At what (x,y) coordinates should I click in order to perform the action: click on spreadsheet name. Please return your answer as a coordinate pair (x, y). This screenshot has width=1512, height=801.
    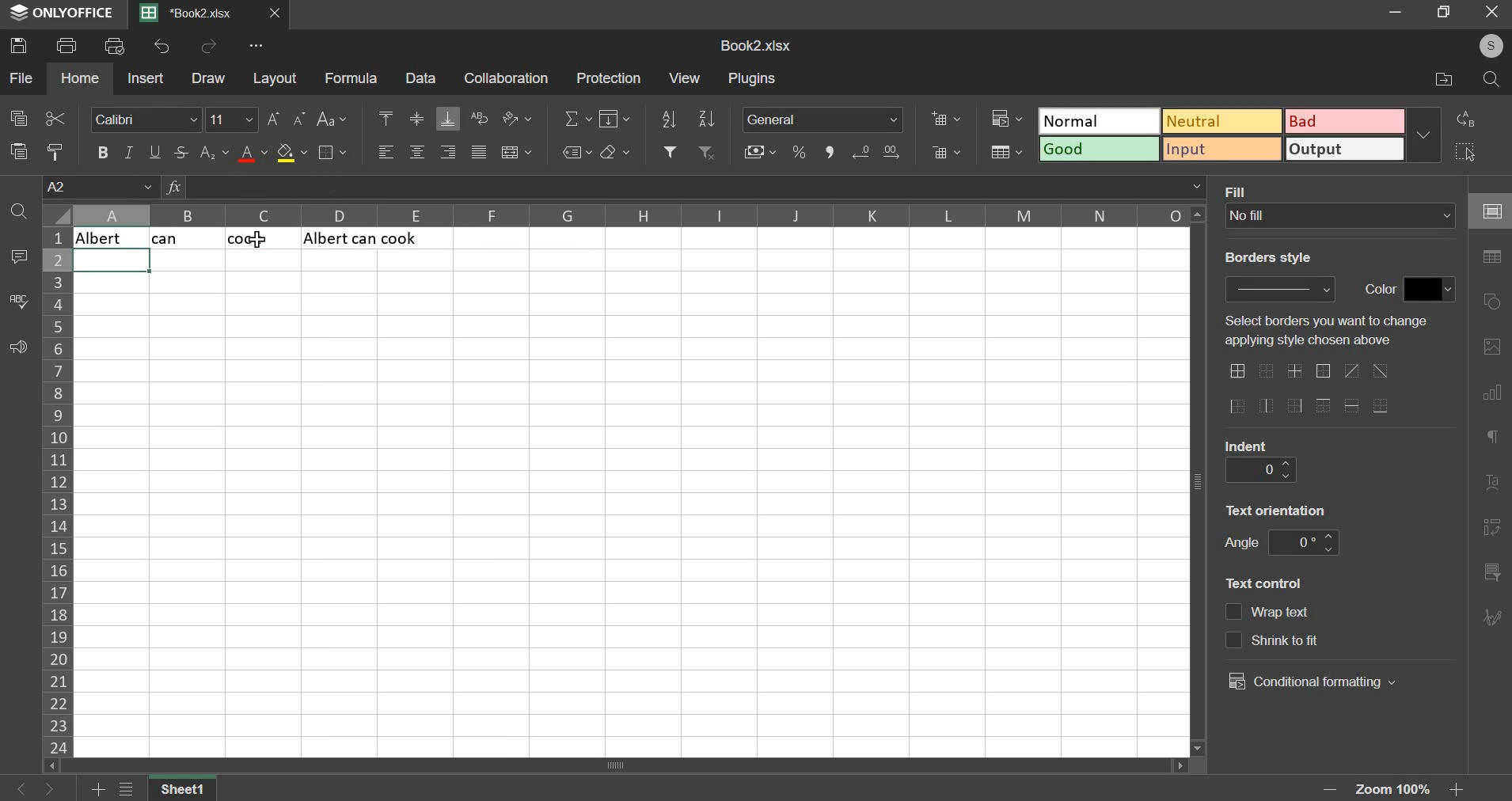
    Looking at the image, I should click on (755, 46).